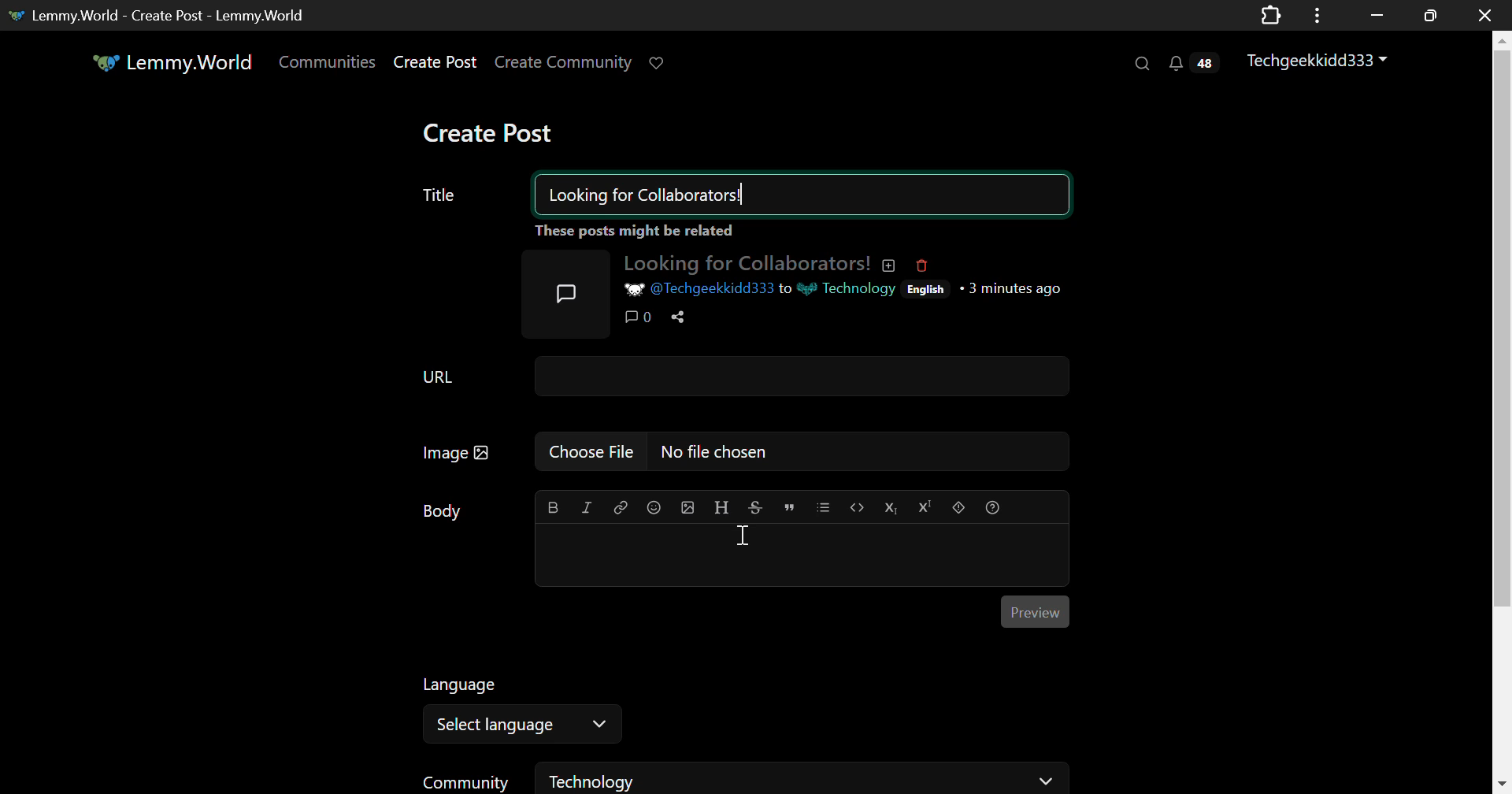  What do you see at coordinates (849, 289) in the screenshot?
I see `Technology` at bounding box center [849, 289].